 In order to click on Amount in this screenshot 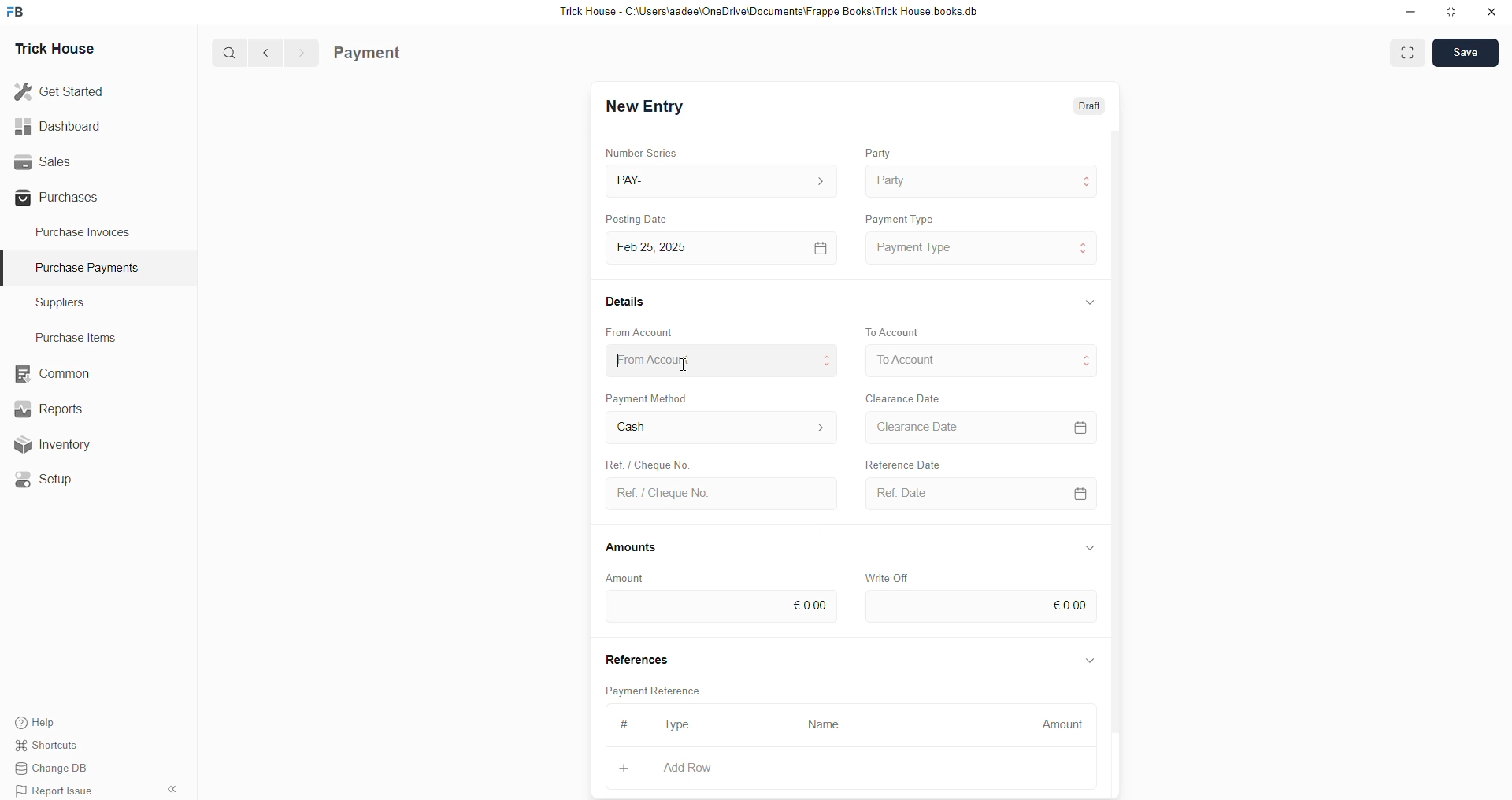, I will do `click(625, 577)`.